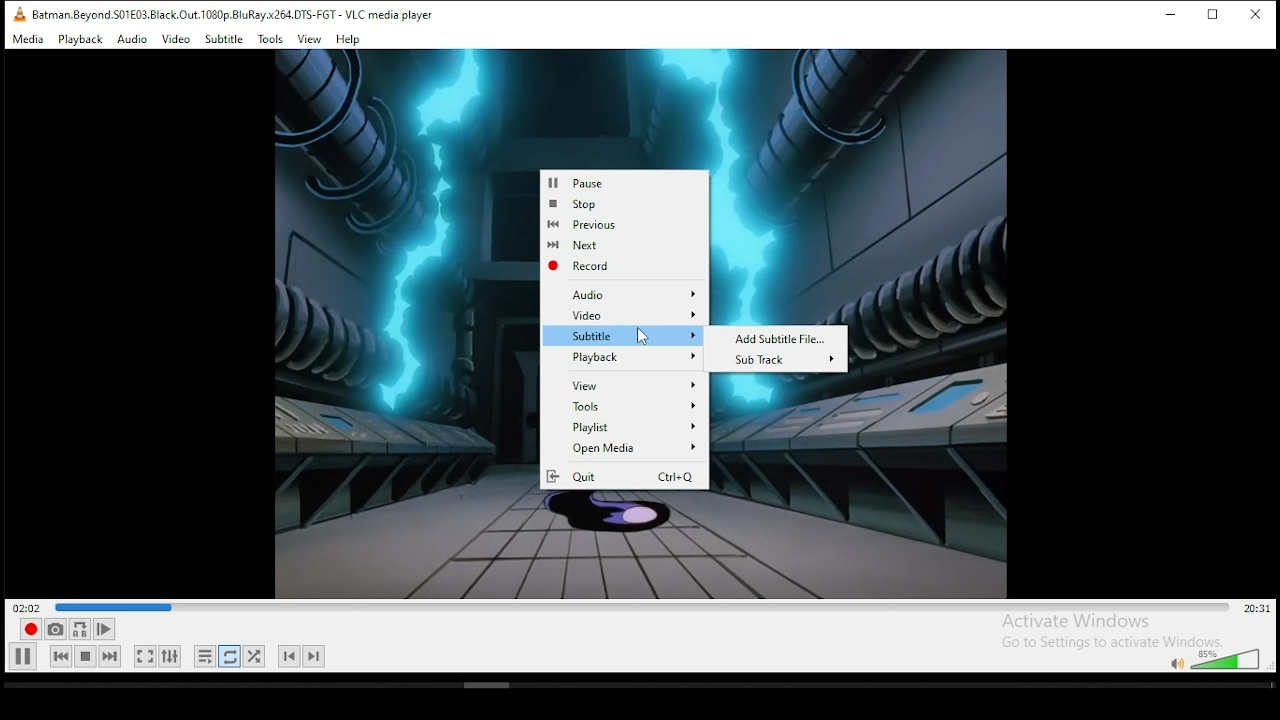 This screenshot has height=720, width=1280. Describe the element at coordinates (254, 656) in the screenshot. I see `random` at that location.